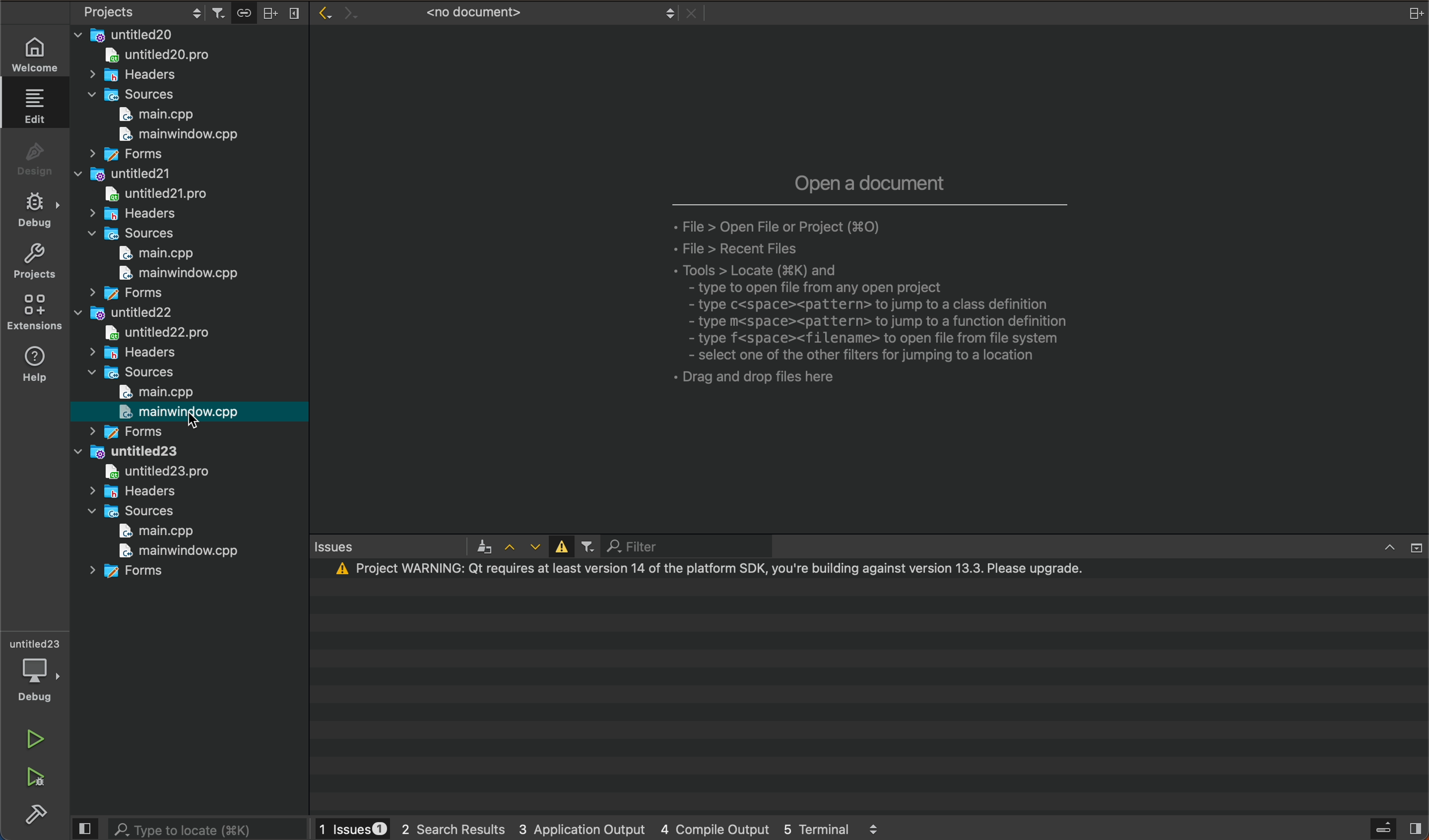 Image resolution: width=1429 pixels, height=840 pixels. What do you see at coordinates (607, 828) in the screenshot?
I see `logs` at bounding box center [607, 828].